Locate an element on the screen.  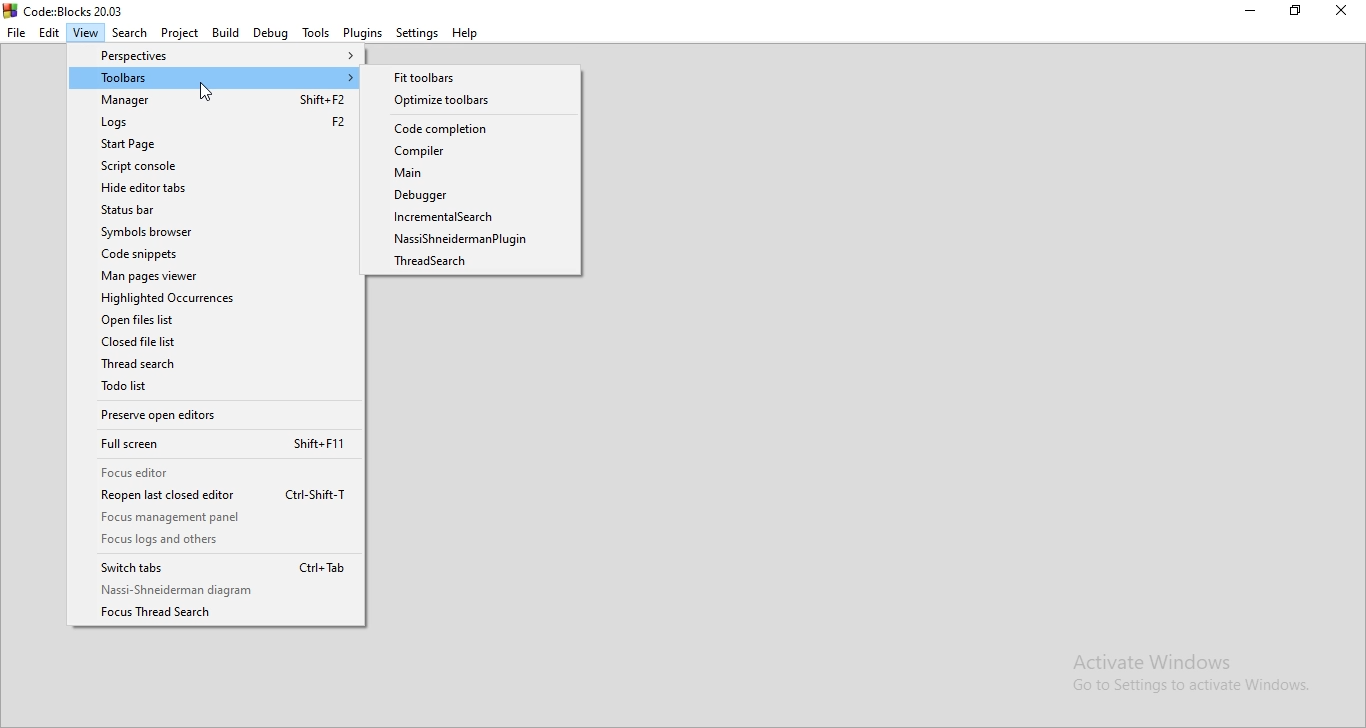
Activate Windows is located at coordinates (1187, 677).